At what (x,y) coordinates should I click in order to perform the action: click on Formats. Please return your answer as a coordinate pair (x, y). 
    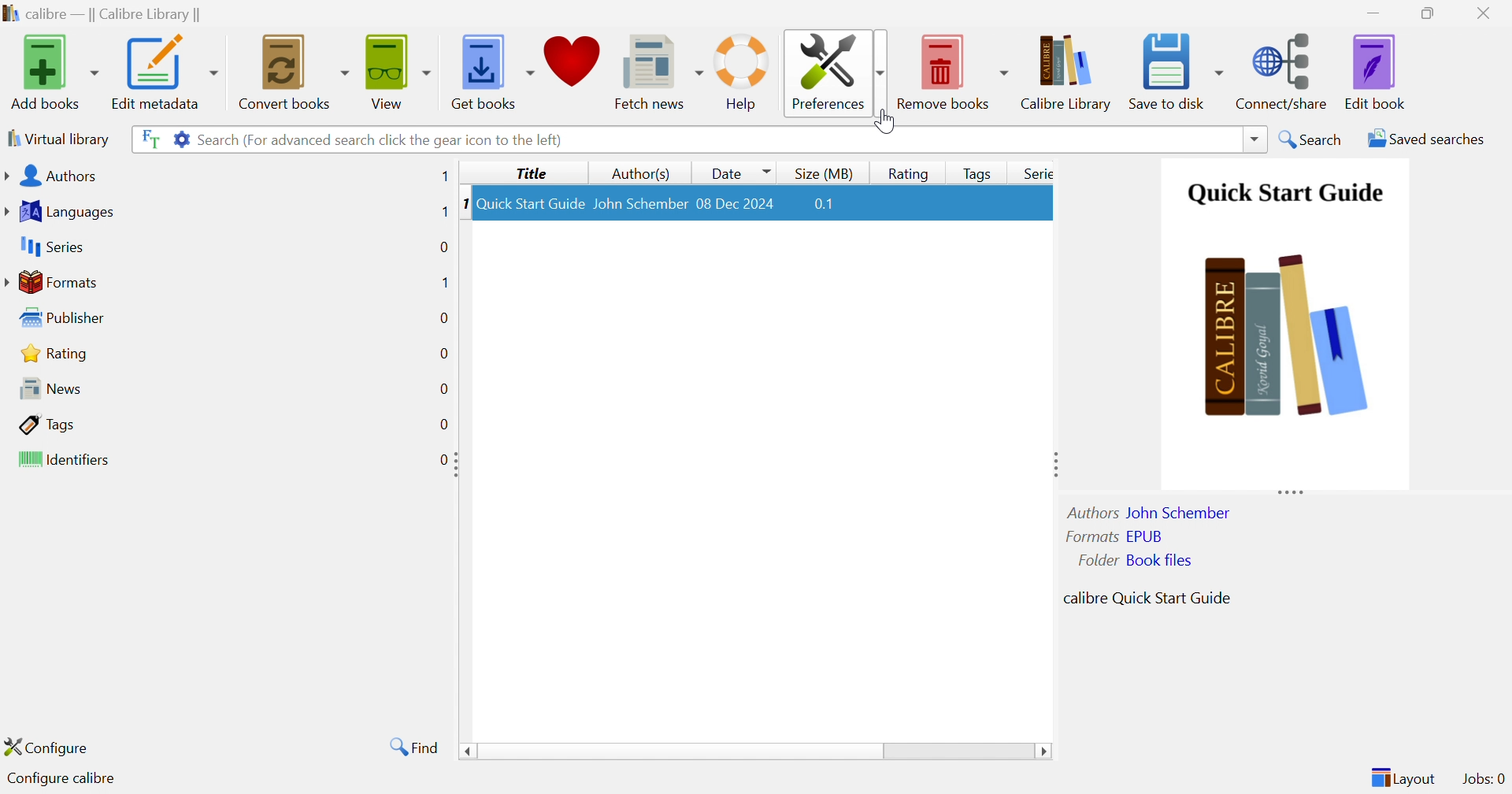
    Looking at the image, I should click on (54, 282).